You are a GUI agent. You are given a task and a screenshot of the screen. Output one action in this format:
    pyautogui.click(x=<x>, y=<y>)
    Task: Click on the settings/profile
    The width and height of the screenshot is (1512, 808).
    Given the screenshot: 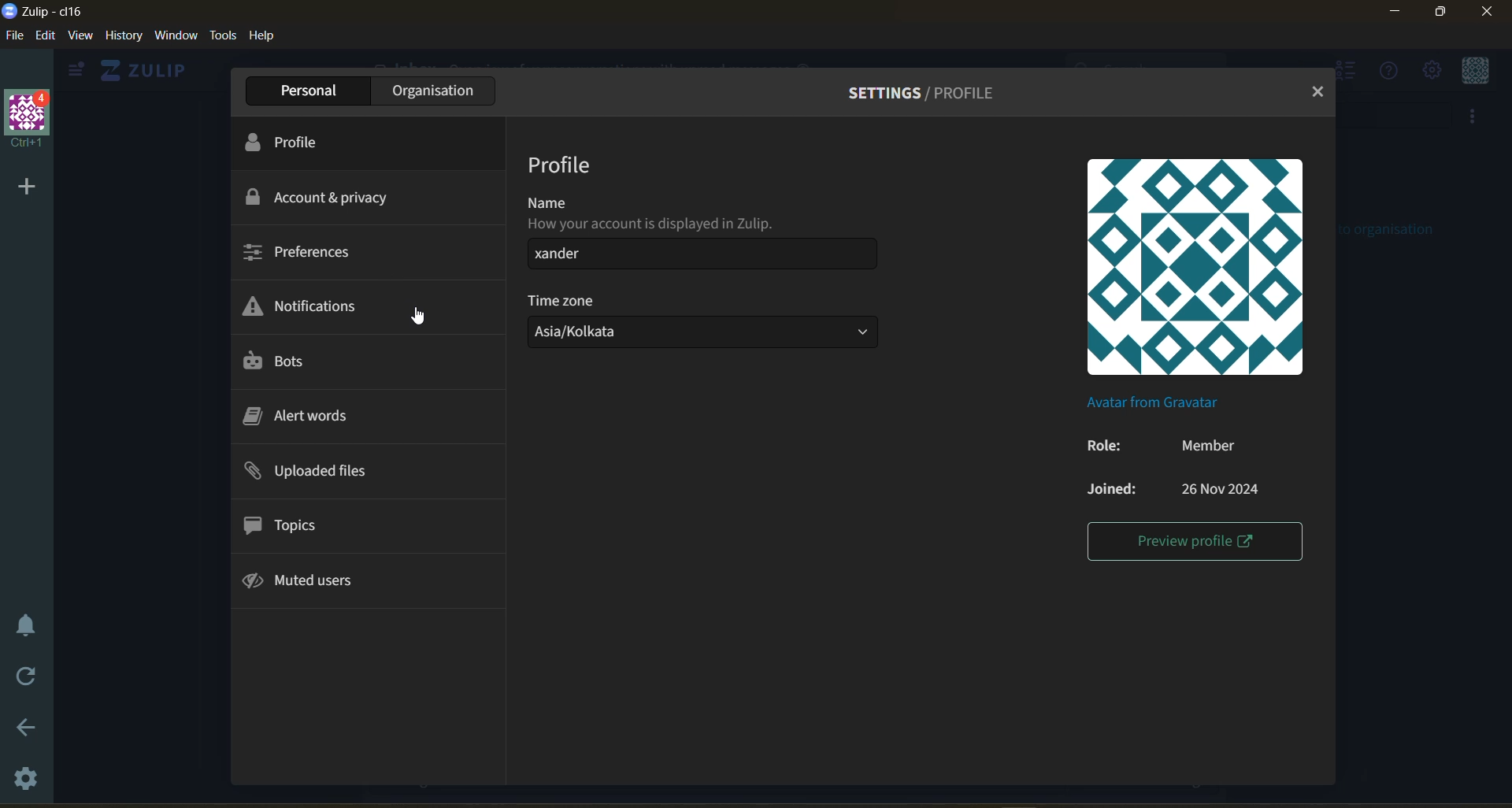 What is the action you would take?
    pyautogui.click(x=931, y=90)
    